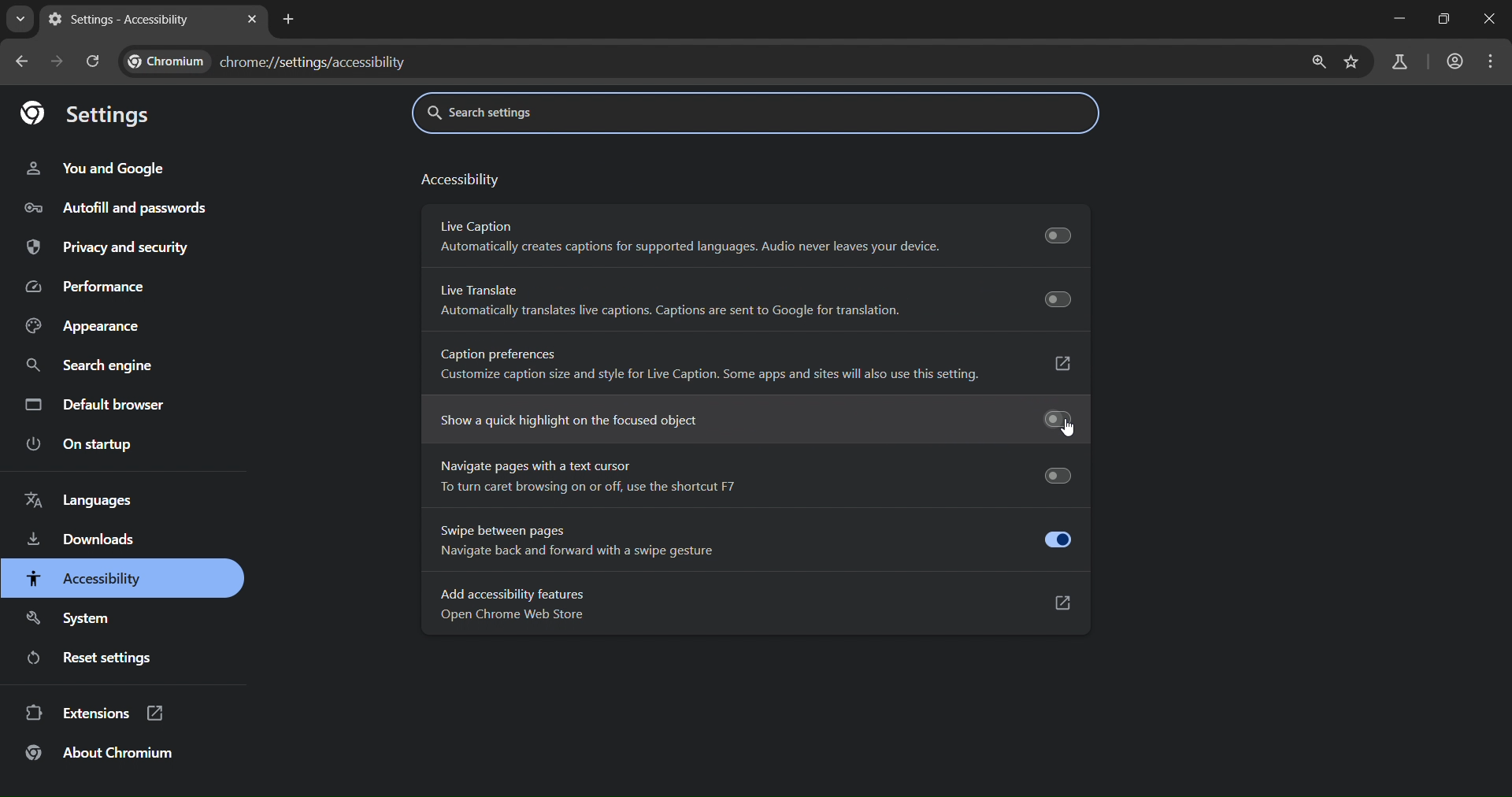 The width and height of the screenshot is (1512, 797). Describe the element at coordinates (84, 287) in the screenshot. I see `performance` at that location.